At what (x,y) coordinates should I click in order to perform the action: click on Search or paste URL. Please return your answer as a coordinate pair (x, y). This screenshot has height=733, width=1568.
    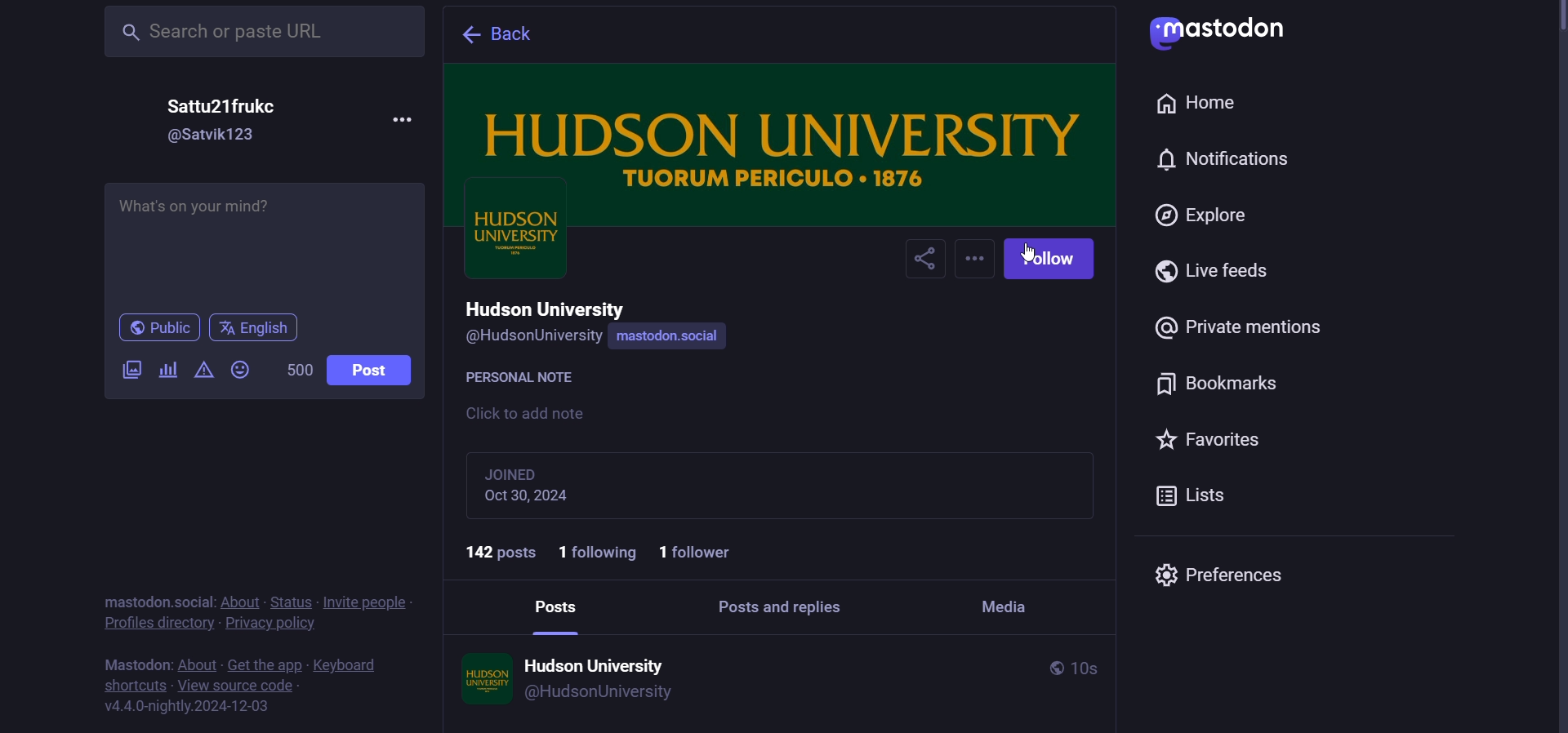
    Looking at the image, I should click on (260, 29).